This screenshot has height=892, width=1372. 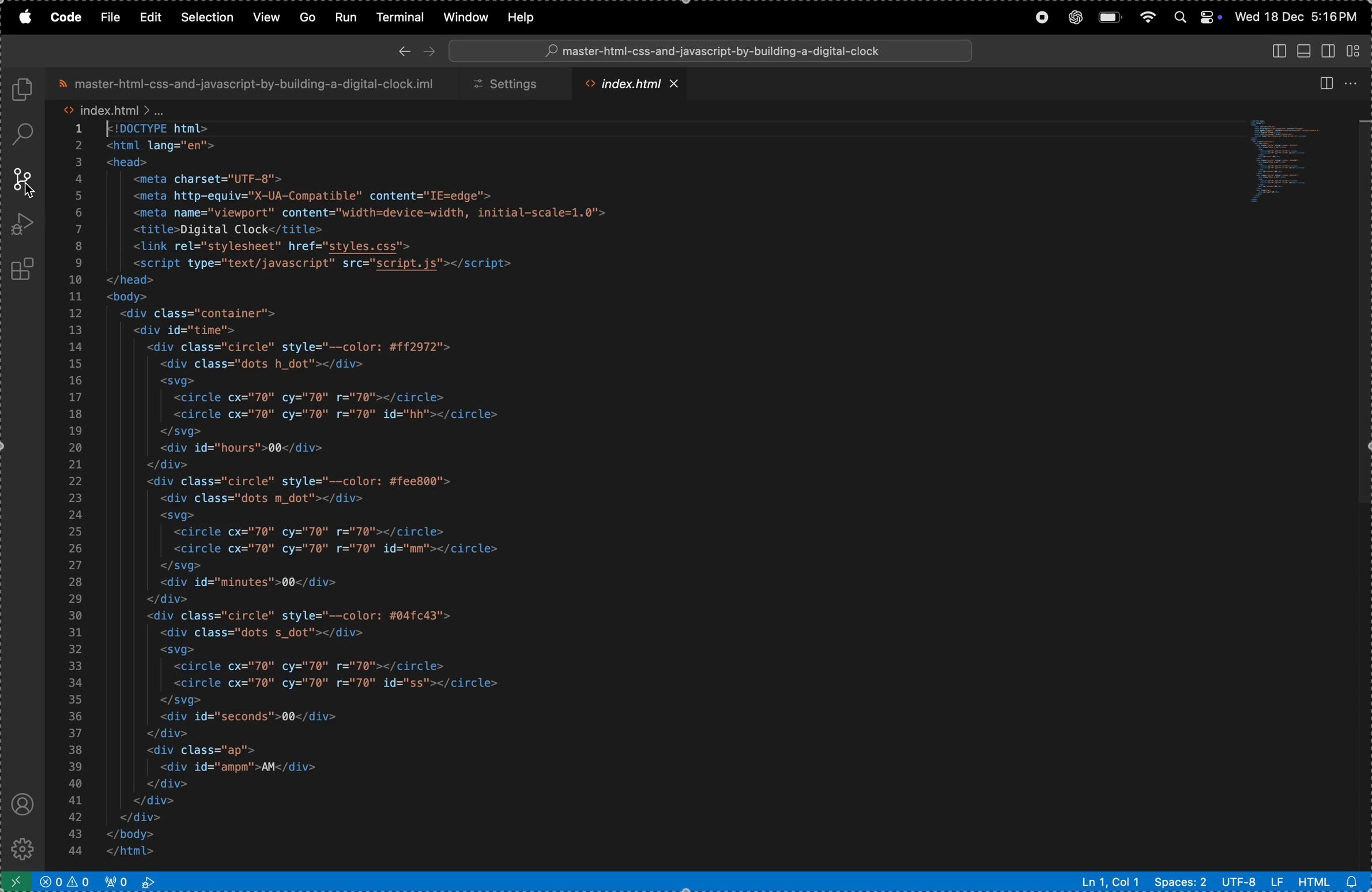 What do you see at coordinates (182, 699) in the screenshot?
I see `</svg>` at bounding box center [182, 699].